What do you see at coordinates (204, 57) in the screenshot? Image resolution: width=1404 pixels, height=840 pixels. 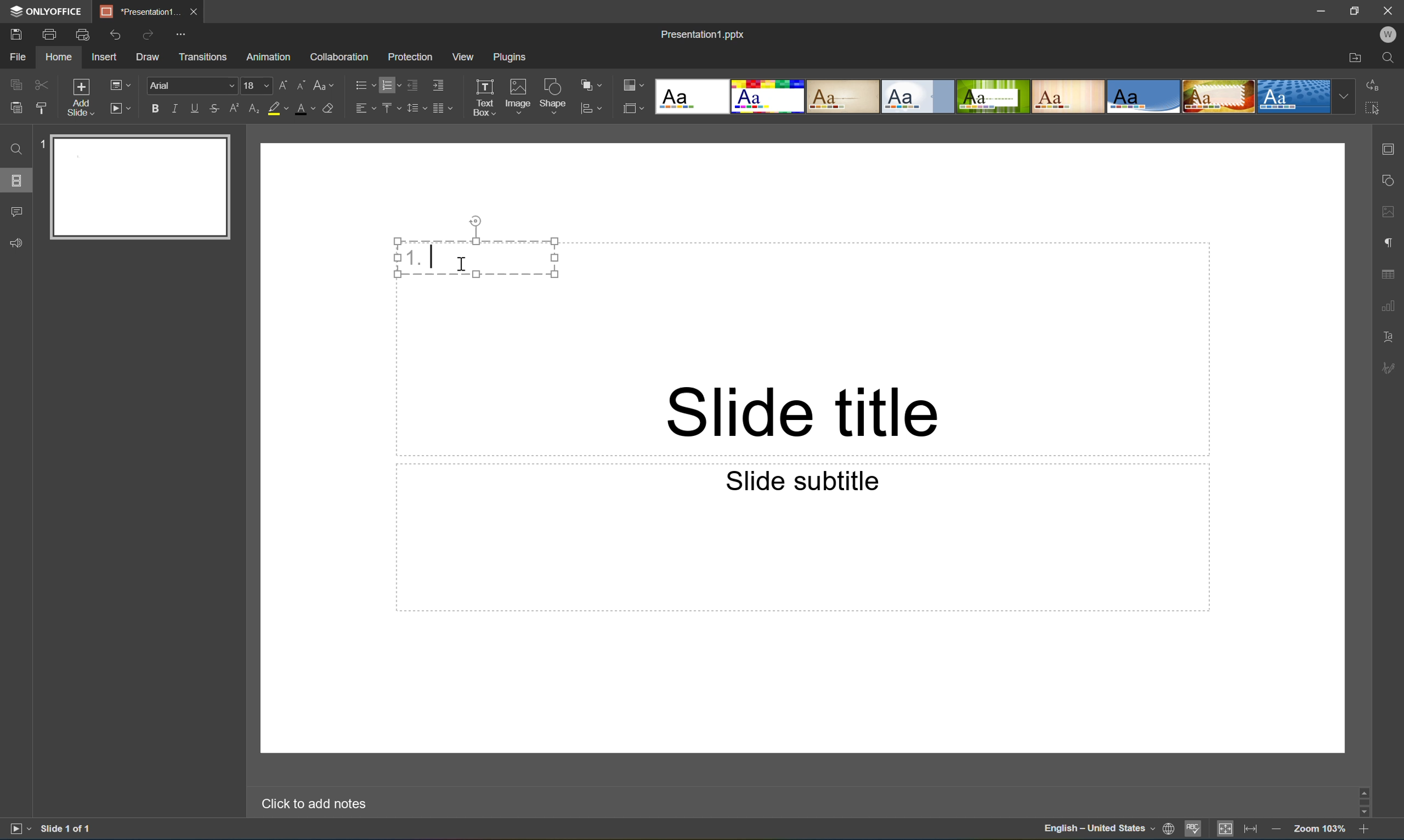 I see `Transitions` at bounding box center [204, 57].